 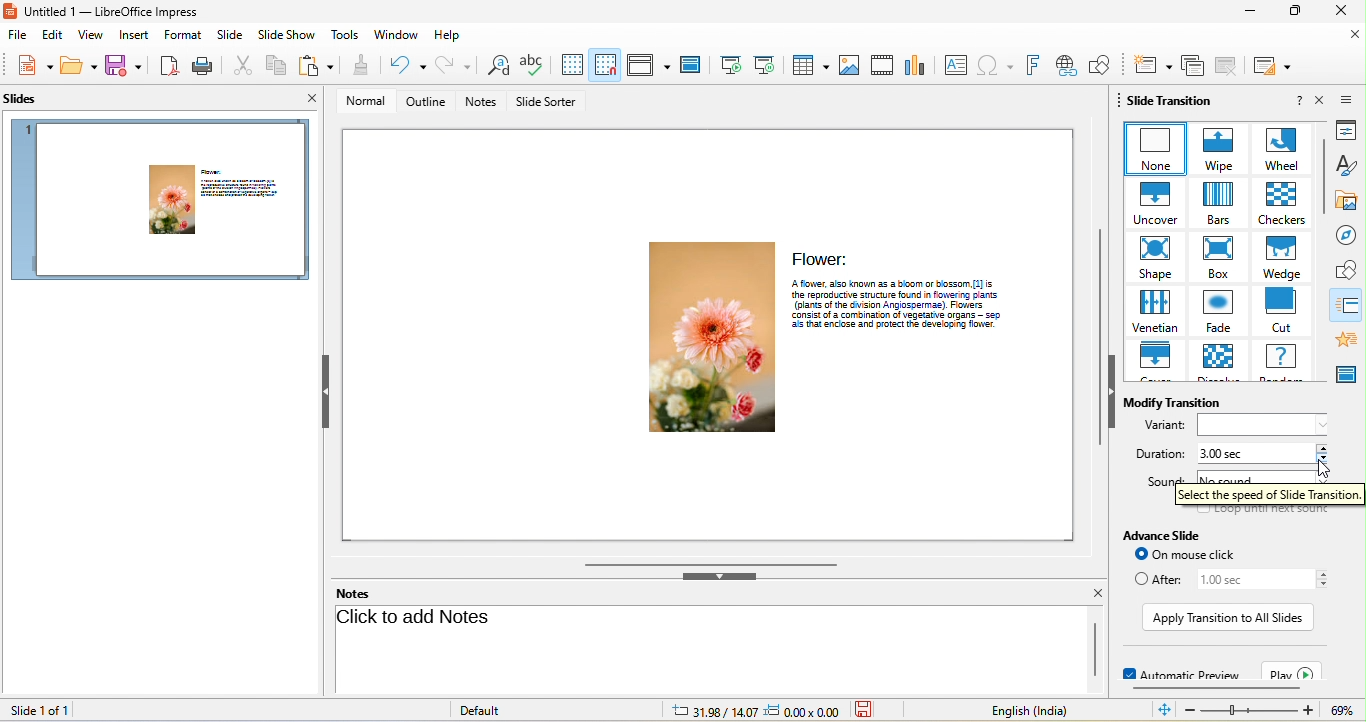 I want to click on styles, so click(x=1351, y=165).